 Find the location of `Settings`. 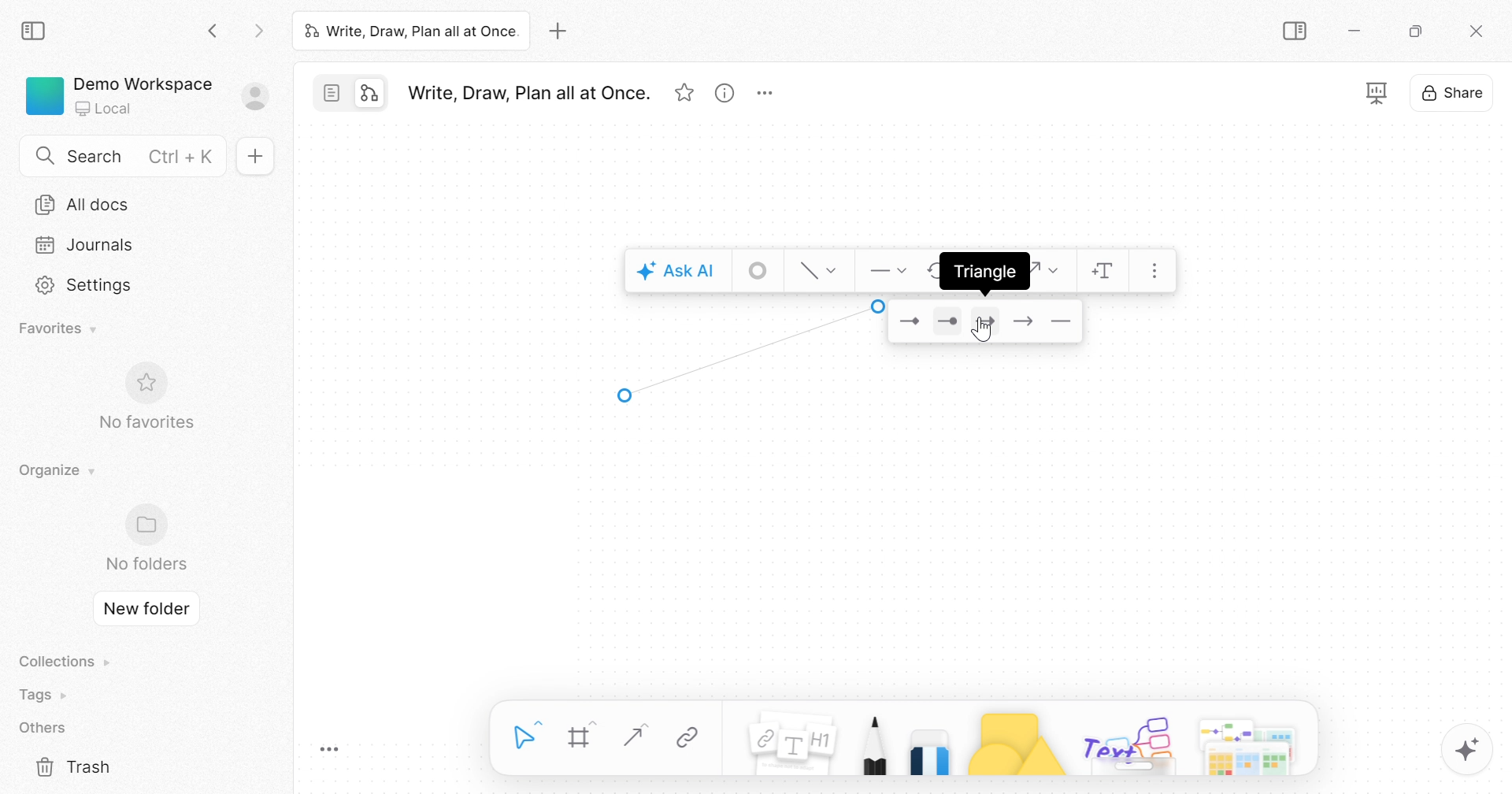

Settings is located at coordinates (85, 285).